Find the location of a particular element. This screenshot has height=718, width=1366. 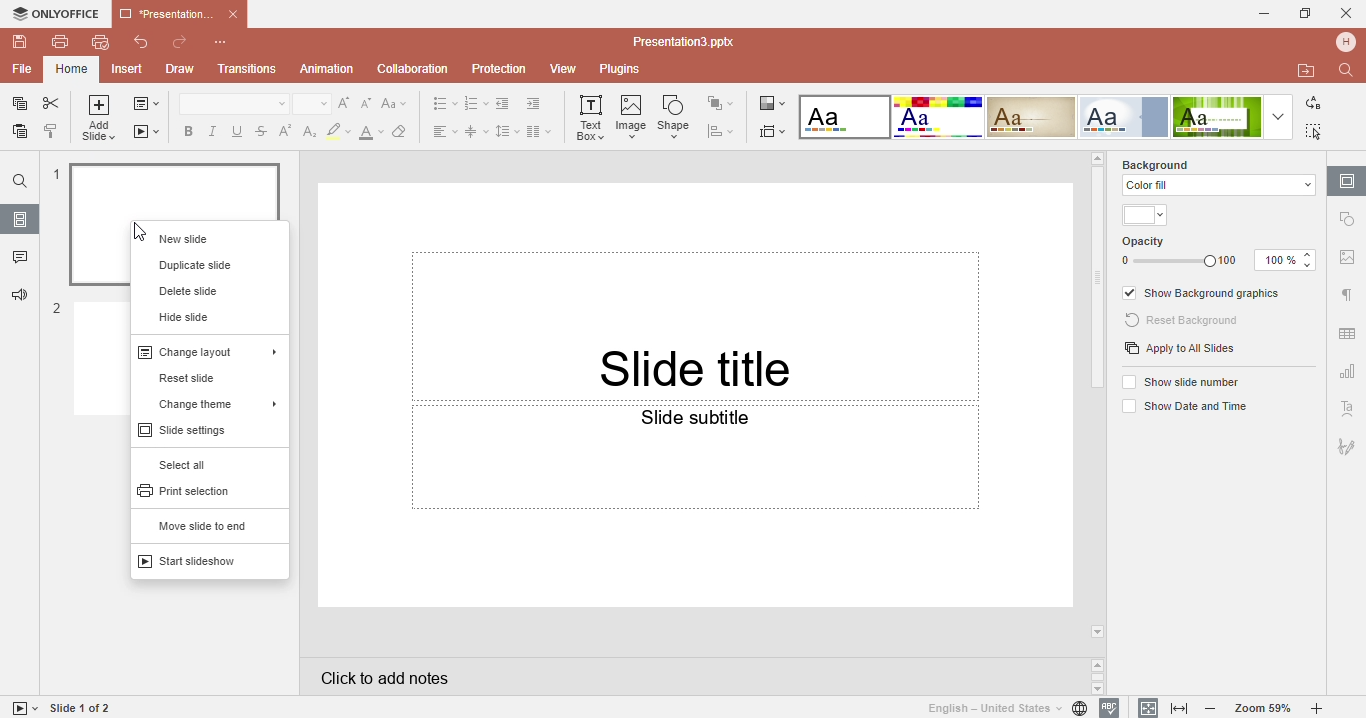

Insert shape is located at coordinates (677, 116).